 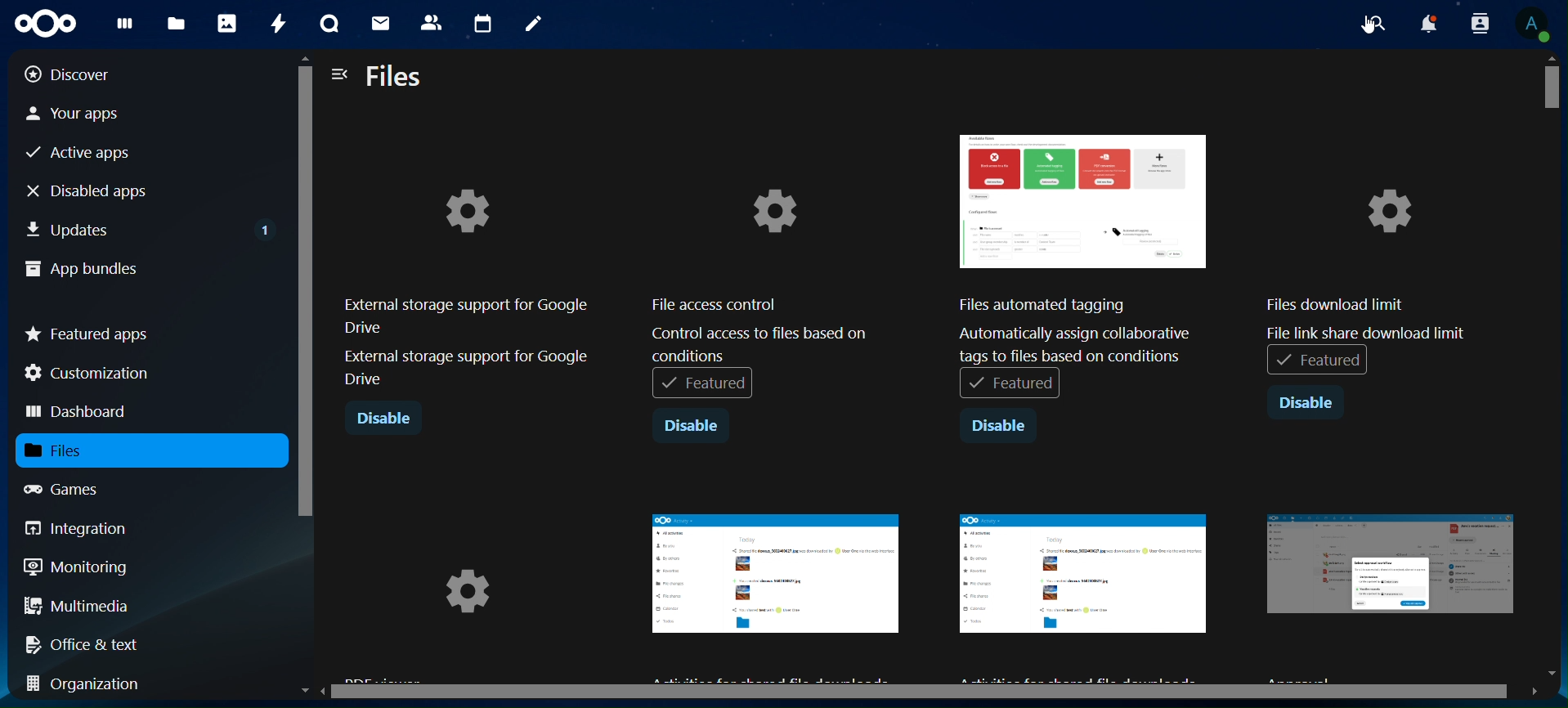 I want to click on talk, so click(x=329, y=24).